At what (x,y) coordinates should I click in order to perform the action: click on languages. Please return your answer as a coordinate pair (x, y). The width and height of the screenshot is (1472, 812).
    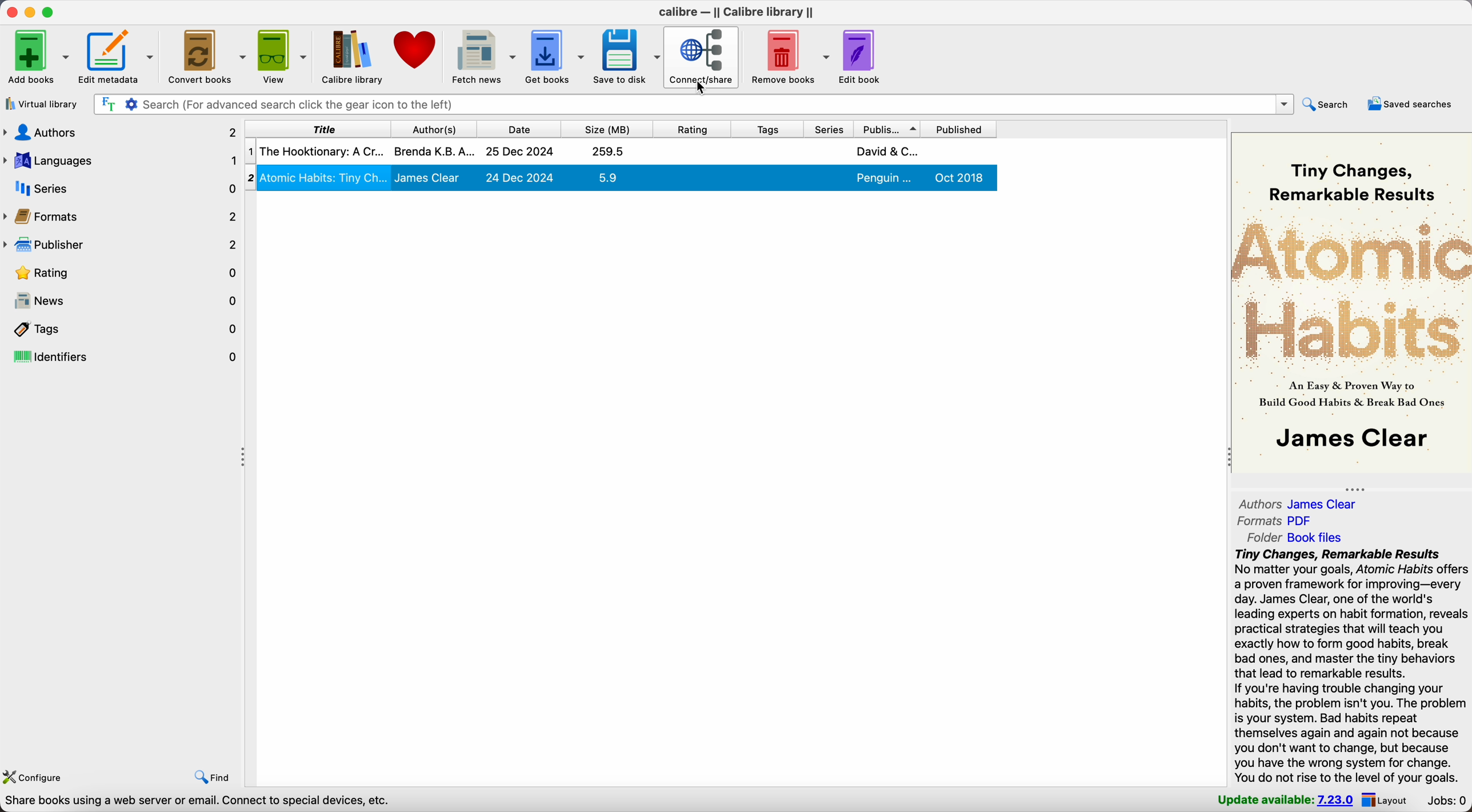
    Looking at the image, I should click on (121, 162).